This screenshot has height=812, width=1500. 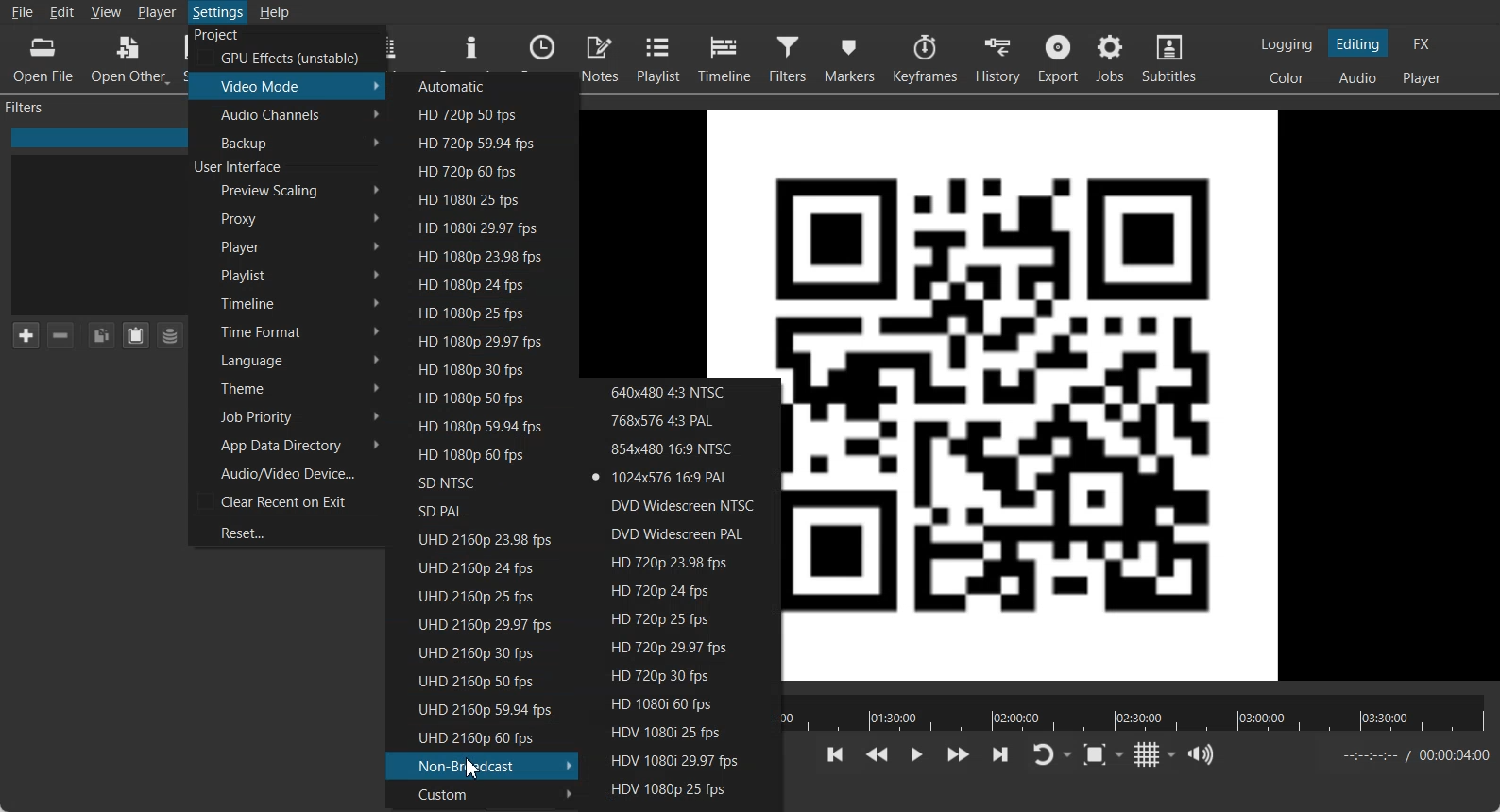 I want to click on Help, so click(x=274, y=11).